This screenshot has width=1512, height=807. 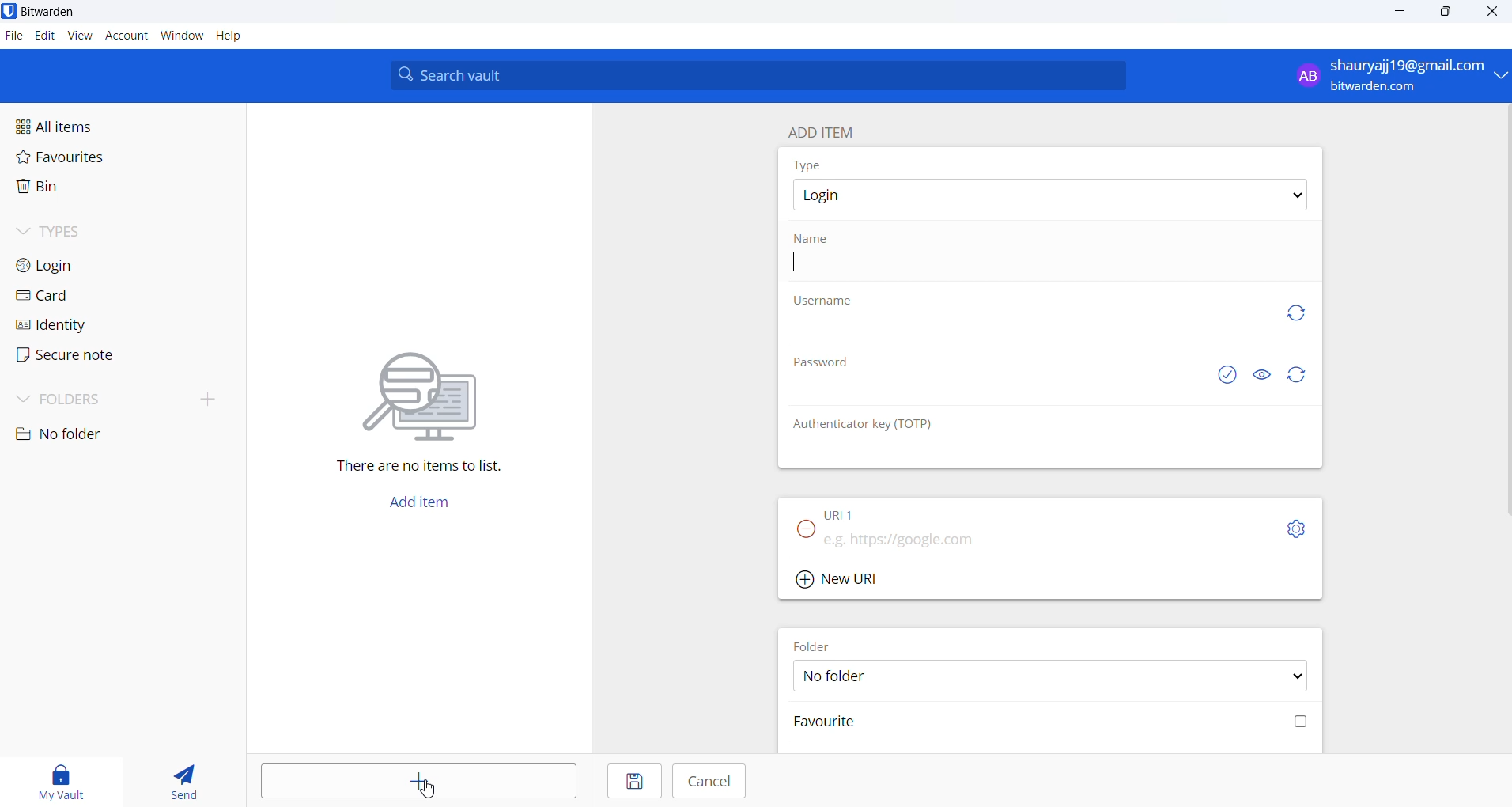 What do you see at coordinates (825, 366) in the screenshot?
I see `Password ` at bounding box center [825, 366].